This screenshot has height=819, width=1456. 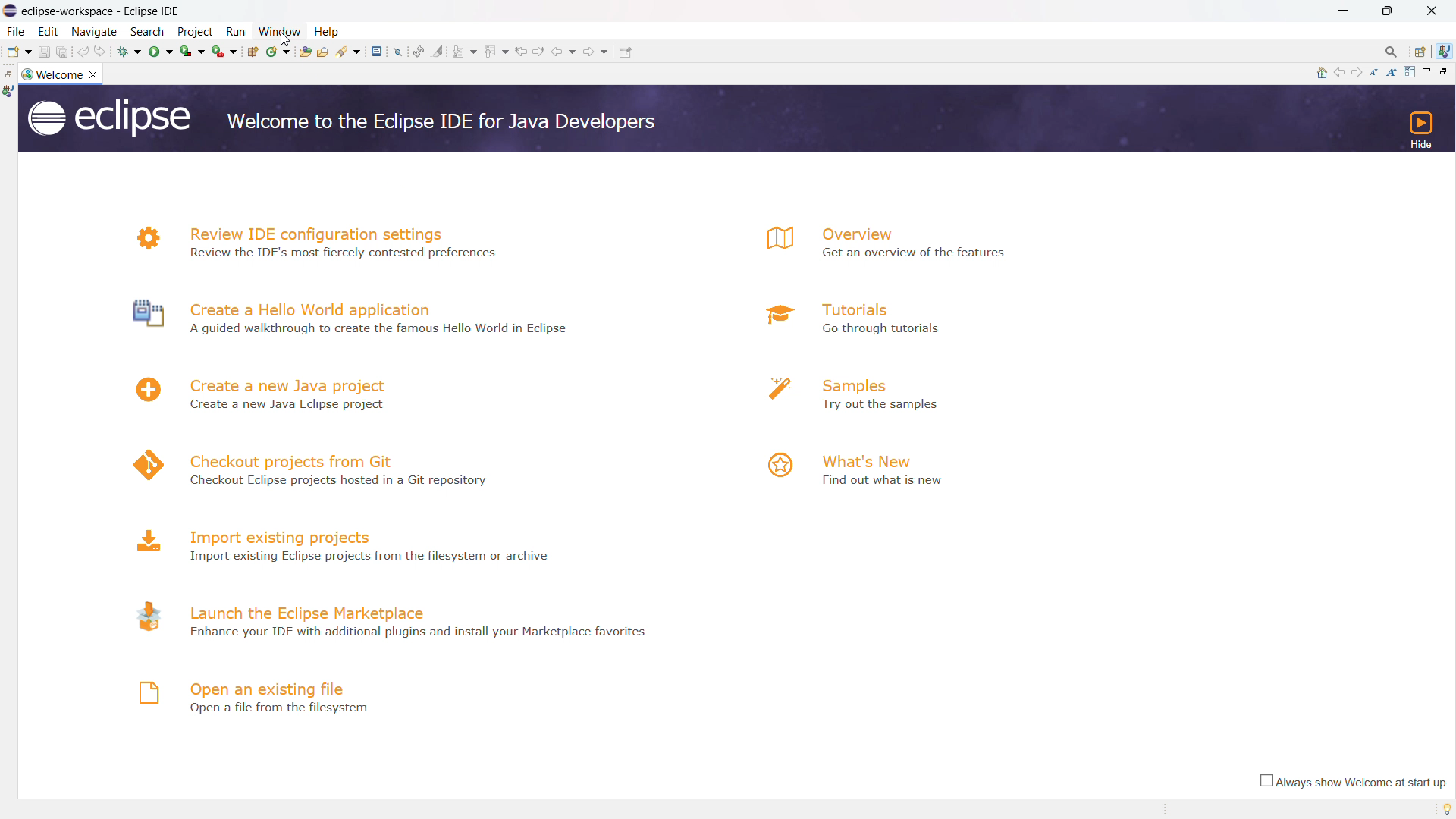 I want to click on logo, so click(x=140, y=390).